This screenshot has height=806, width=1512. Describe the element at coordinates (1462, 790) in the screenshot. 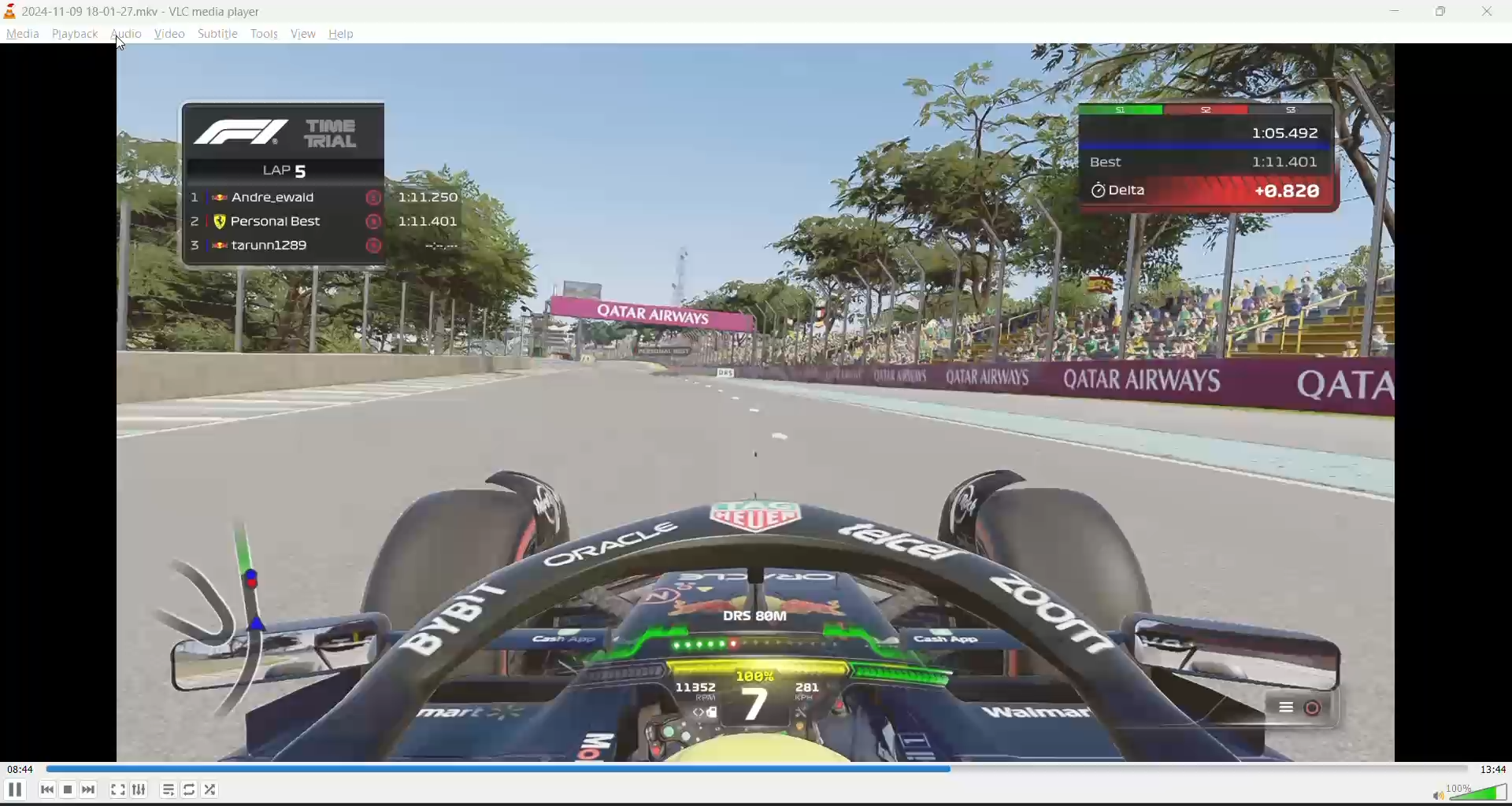

I see `volume` at that location.